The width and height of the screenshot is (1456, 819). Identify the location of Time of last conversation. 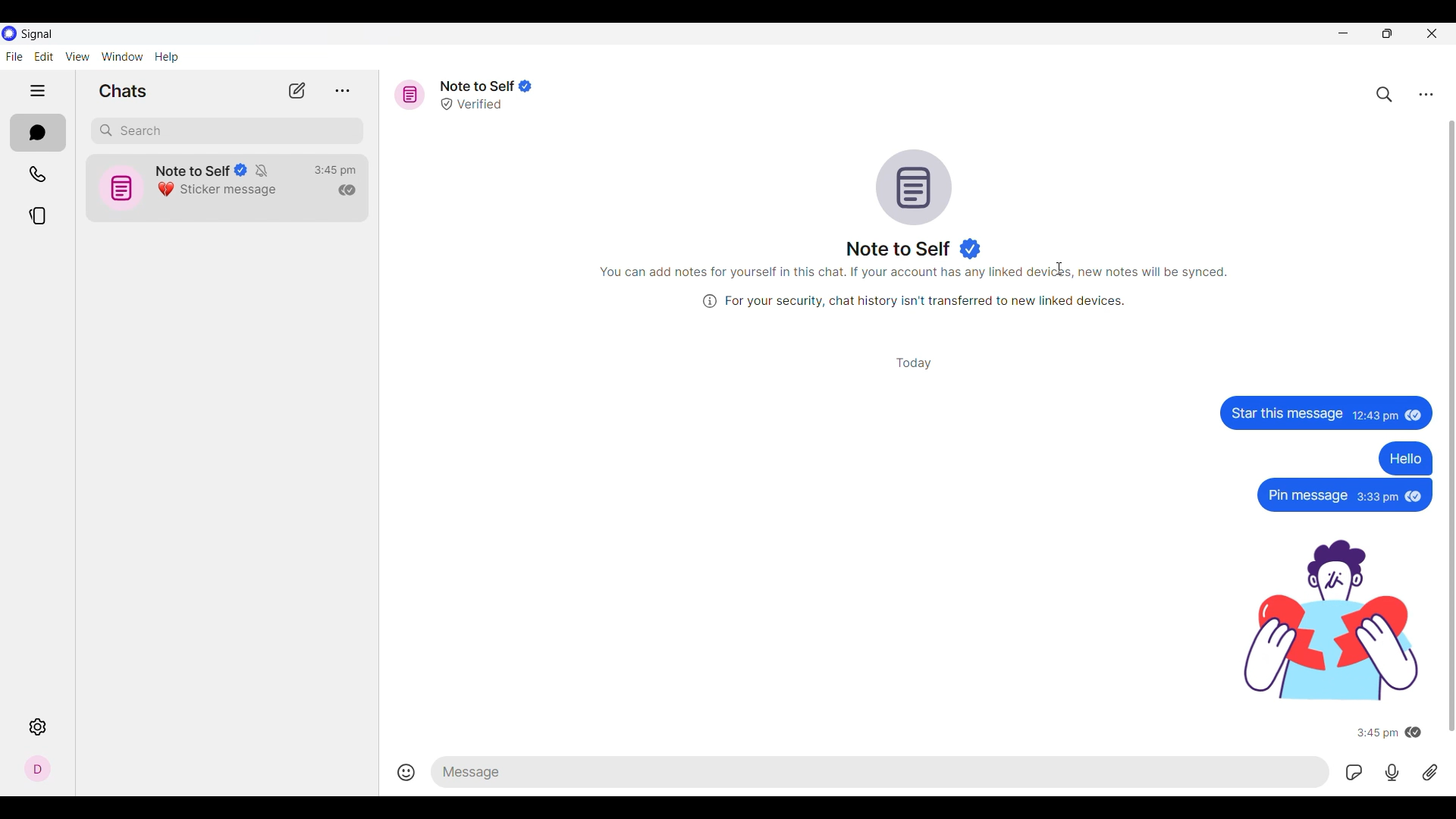
(334, 171).